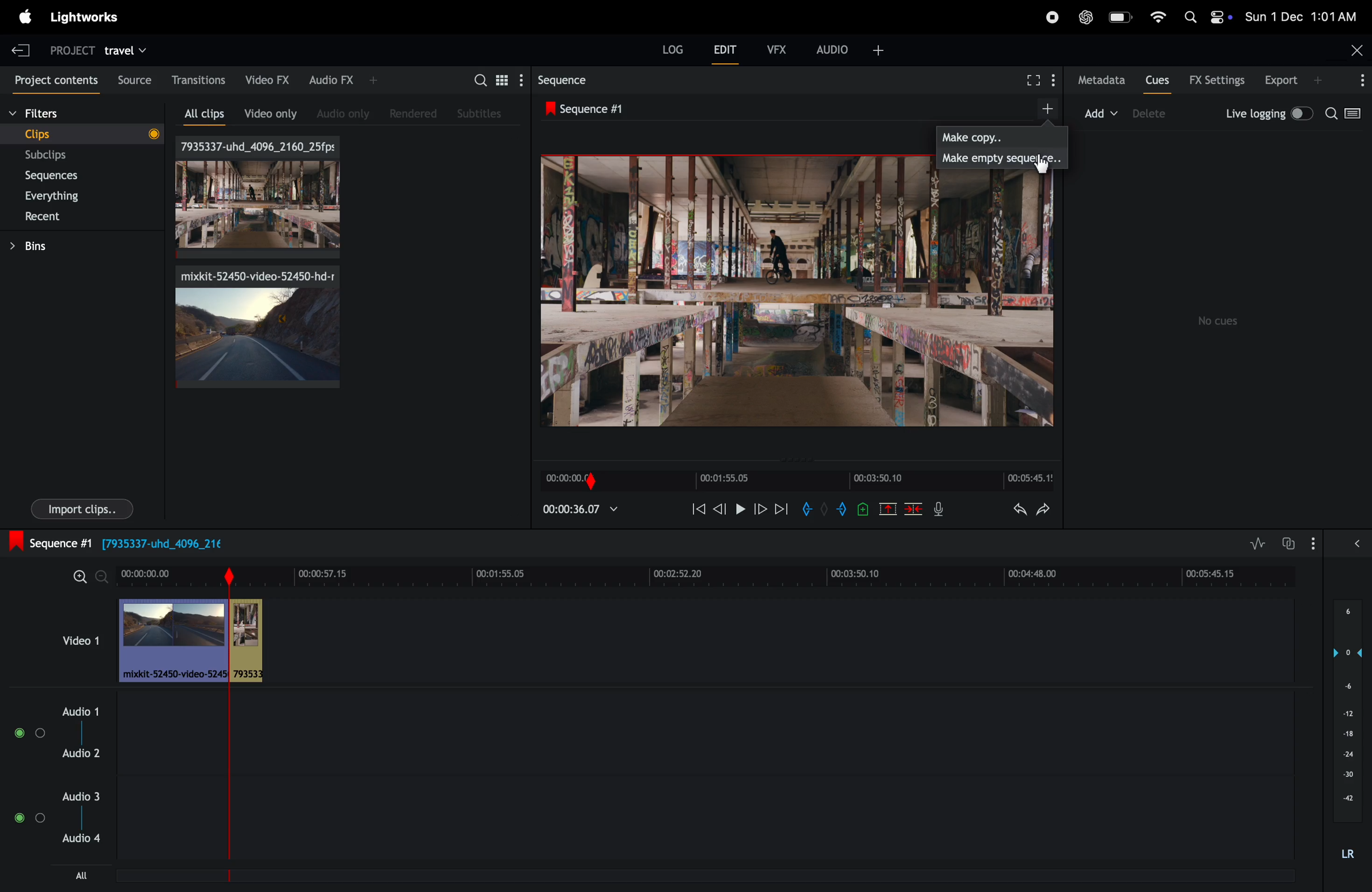 Image resolution: width=1372 pixels, height=892 pixels. I want to click on add out, so click(842, 508).